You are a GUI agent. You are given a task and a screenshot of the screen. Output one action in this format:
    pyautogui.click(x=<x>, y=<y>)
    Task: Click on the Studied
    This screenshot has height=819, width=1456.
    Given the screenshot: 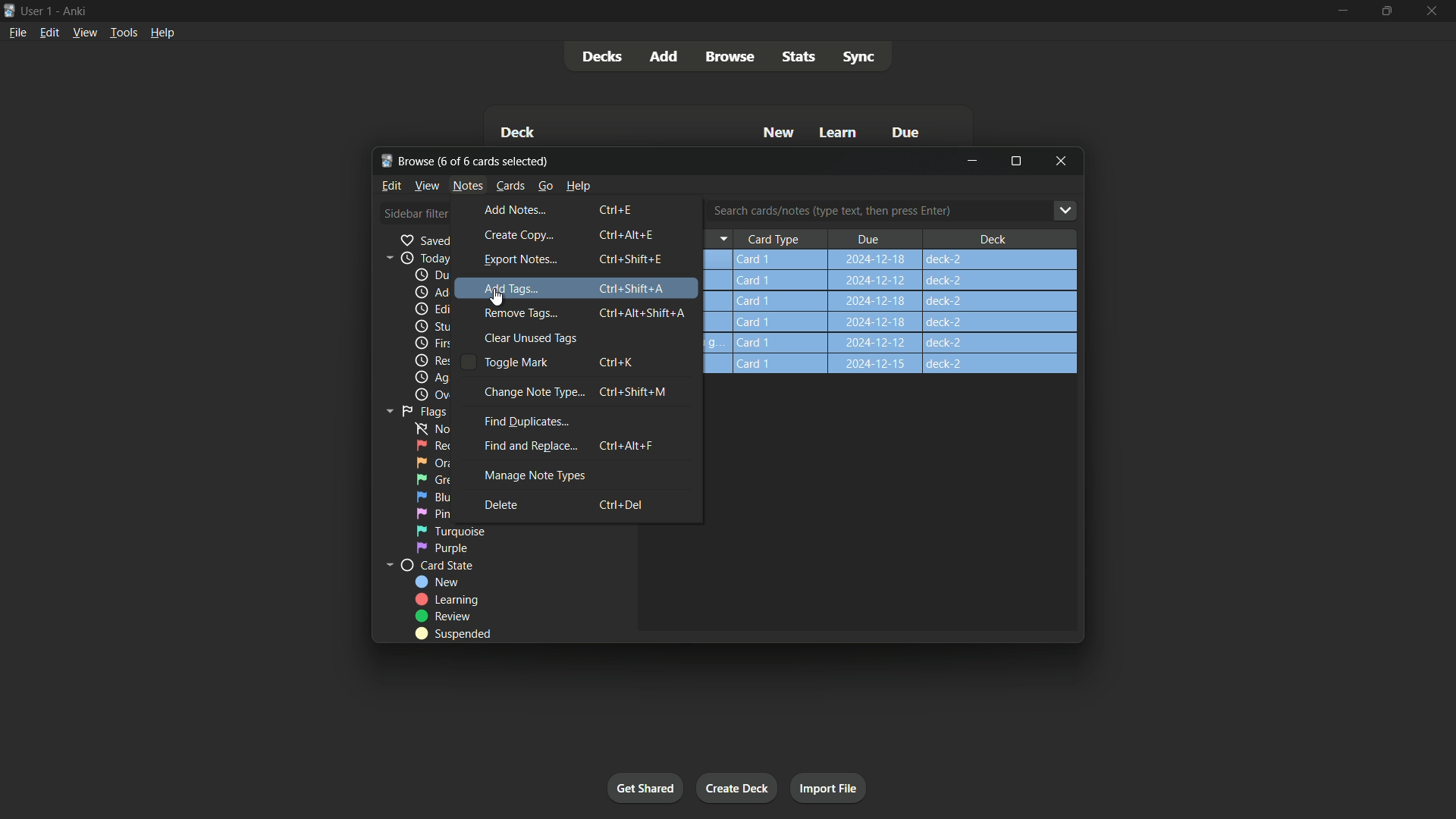 What is the action you would take?
    pyautogui.click(x=444, y=327)
    